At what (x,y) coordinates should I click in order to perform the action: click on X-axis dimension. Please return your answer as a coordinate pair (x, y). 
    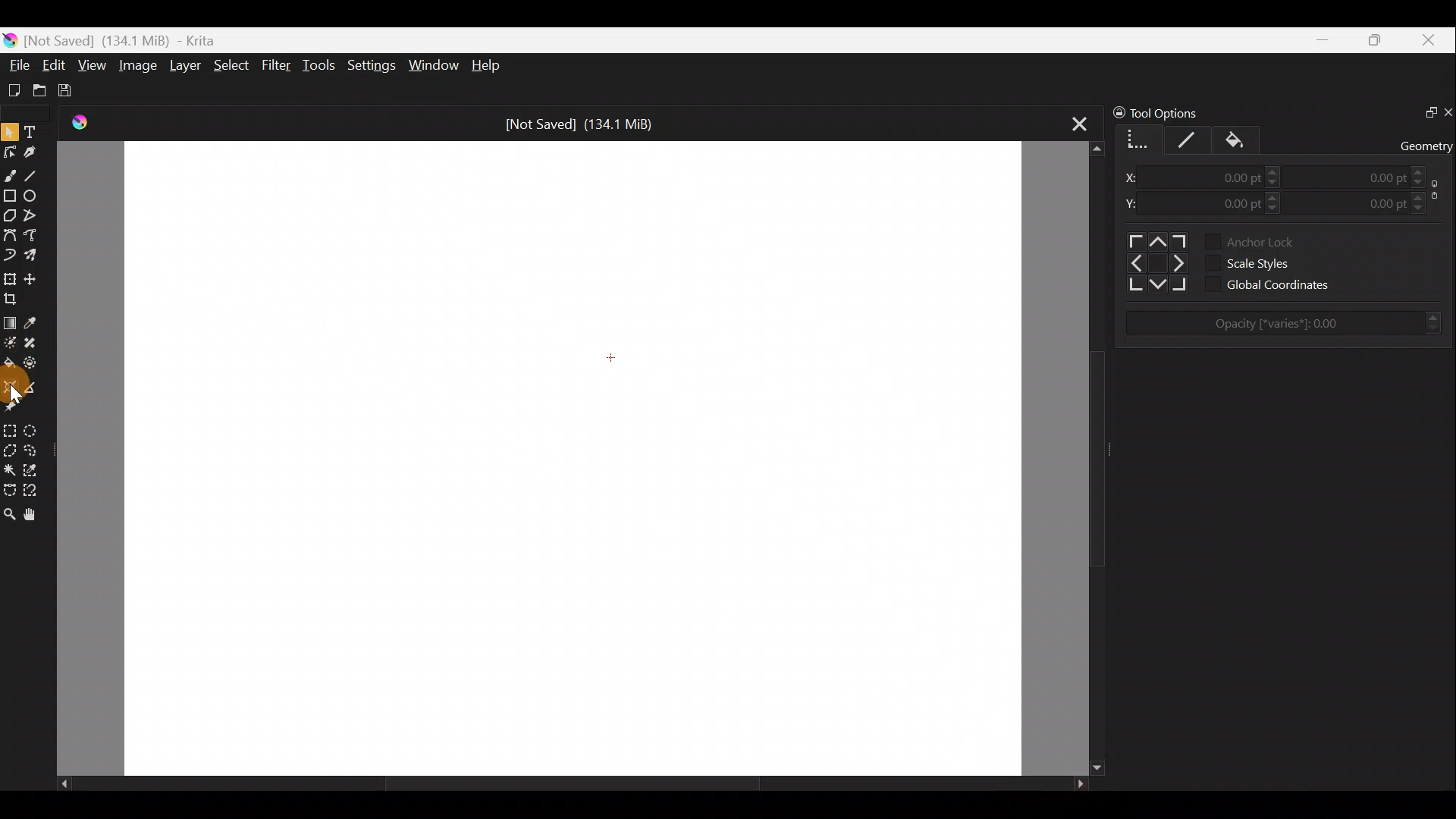
    Looking at the image, I should click on (1136, 173).